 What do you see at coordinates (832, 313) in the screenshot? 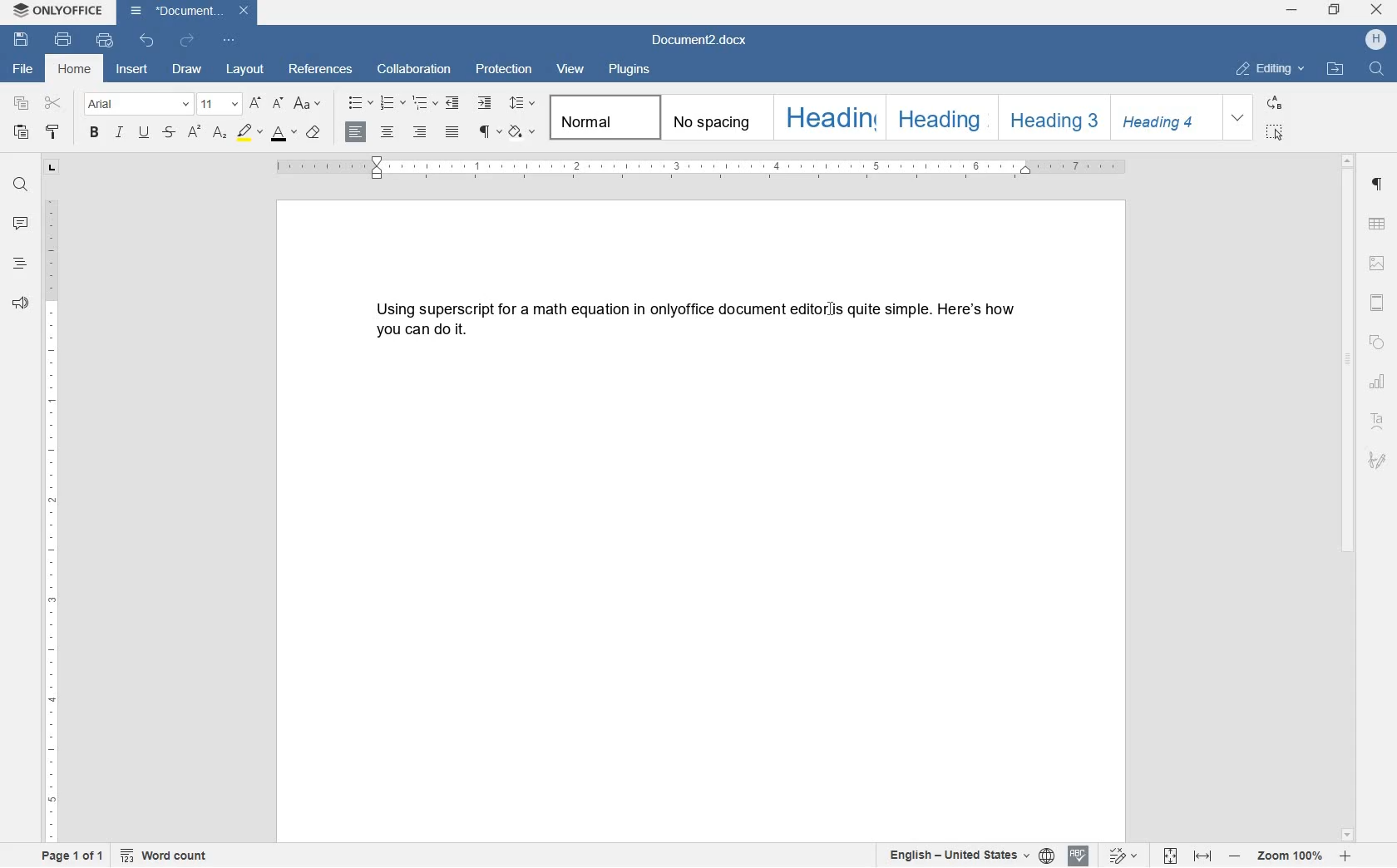
I see `cursor` at bounding box center [832, 313].